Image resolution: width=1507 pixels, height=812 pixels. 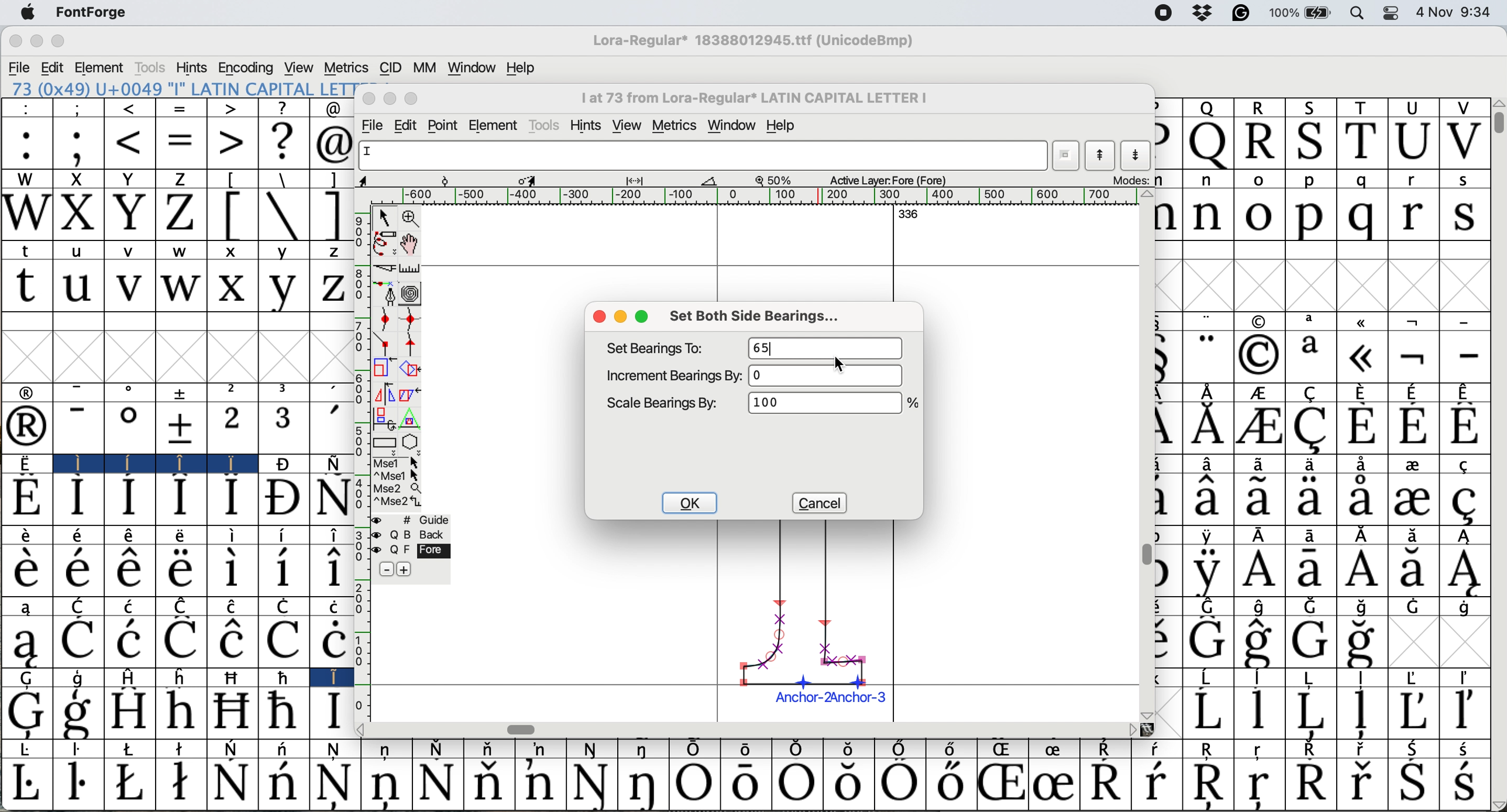 What do you see at coordinates (592, 784) in the screenshot?
I see `Symbol` at bounding box center [592, 784].